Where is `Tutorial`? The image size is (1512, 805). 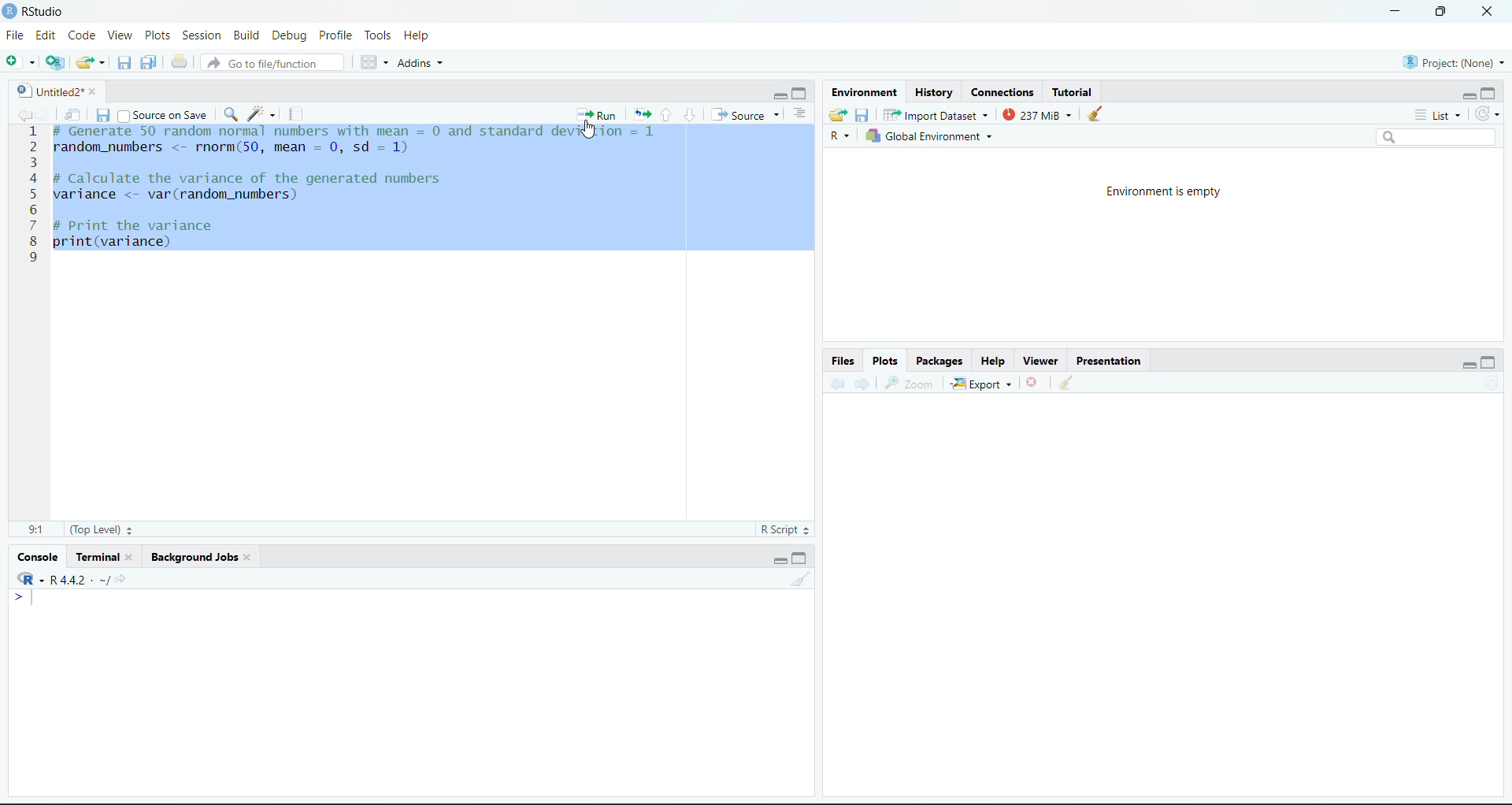 Tutorial is located at coordinates (1072, 93).